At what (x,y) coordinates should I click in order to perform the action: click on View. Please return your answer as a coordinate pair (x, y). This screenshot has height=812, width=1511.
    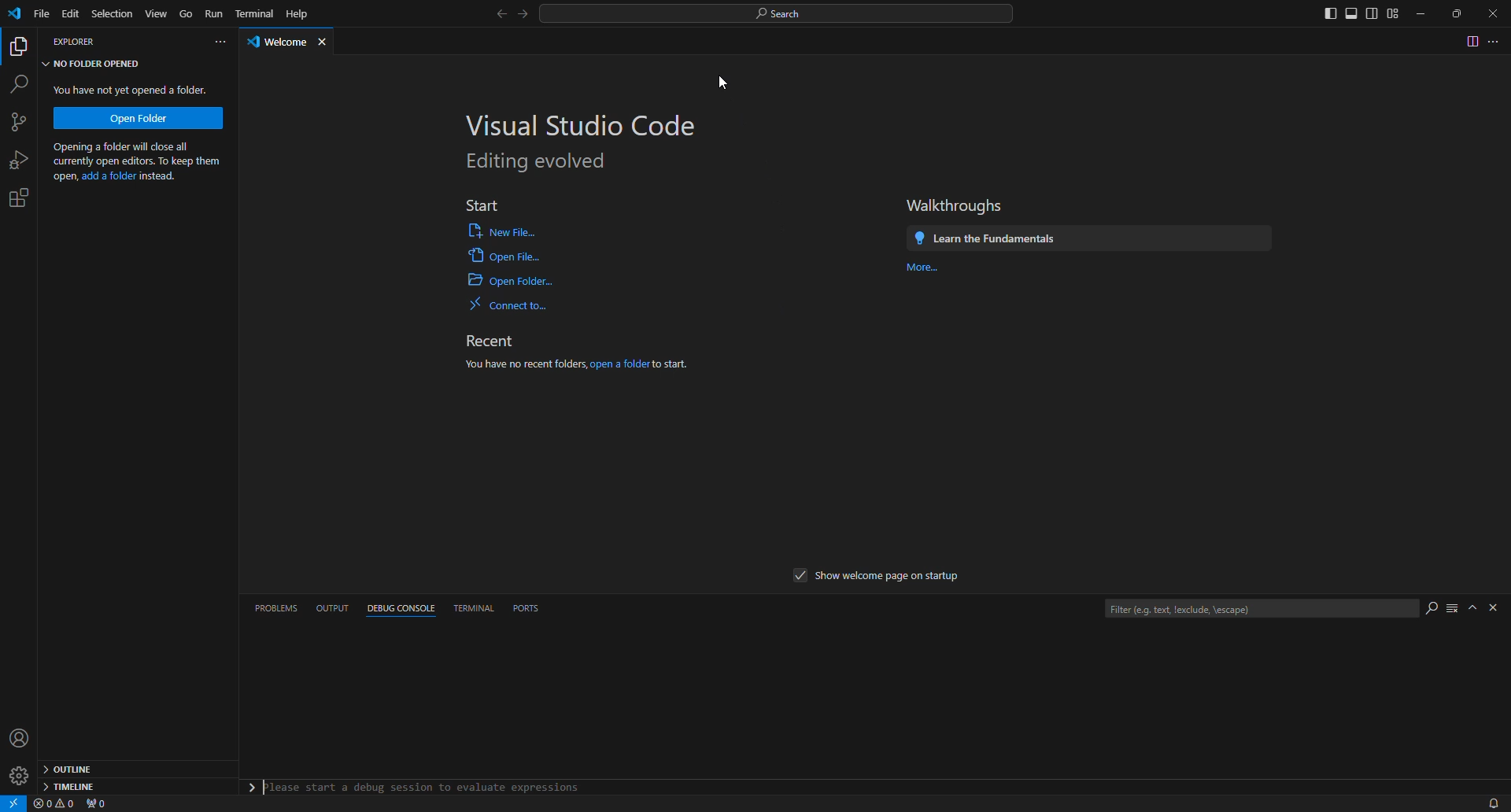
    Looking at the image, I should click on (153, 14).